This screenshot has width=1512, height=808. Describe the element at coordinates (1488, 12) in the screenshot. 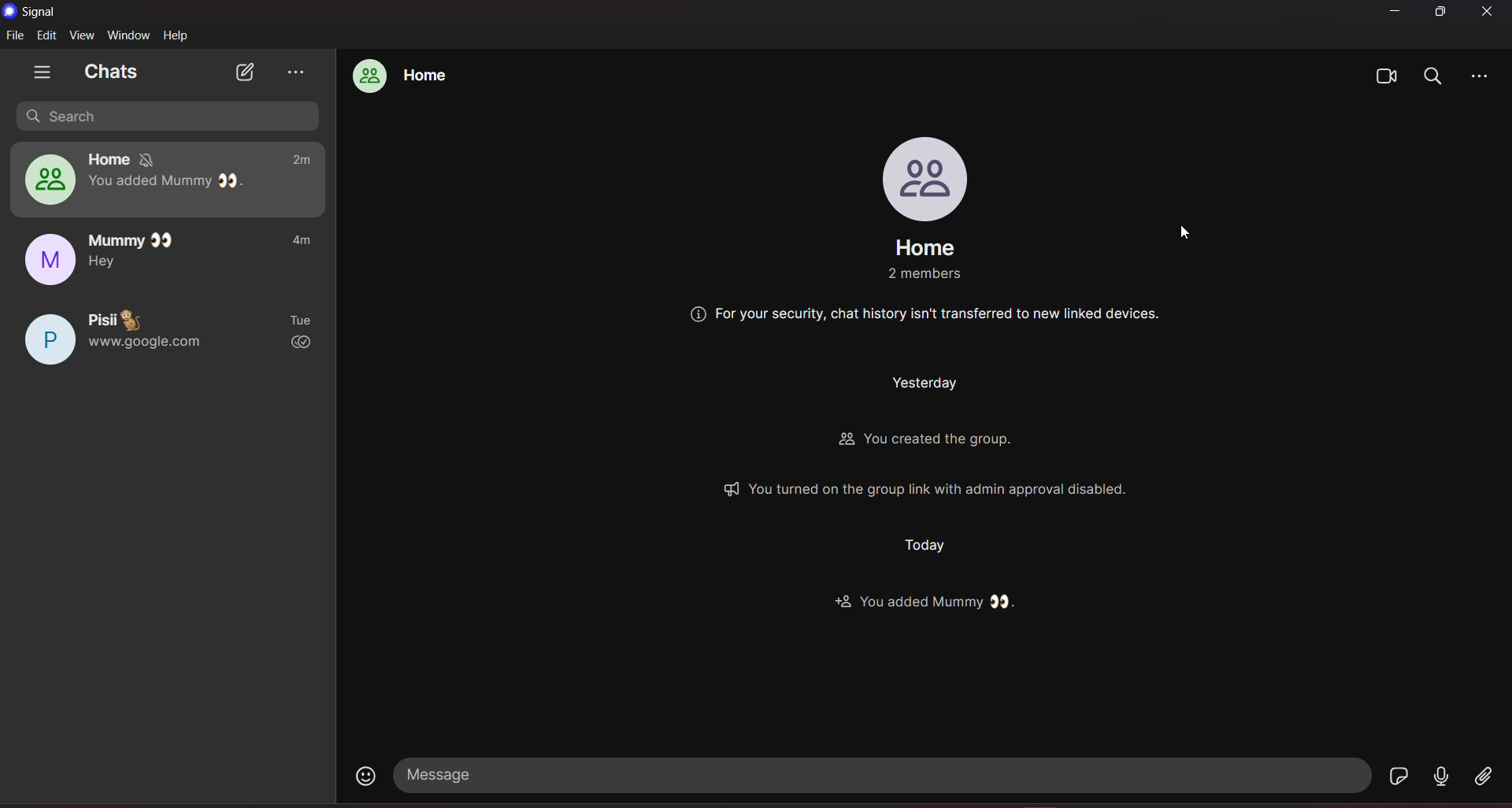

I see `close` at that location.